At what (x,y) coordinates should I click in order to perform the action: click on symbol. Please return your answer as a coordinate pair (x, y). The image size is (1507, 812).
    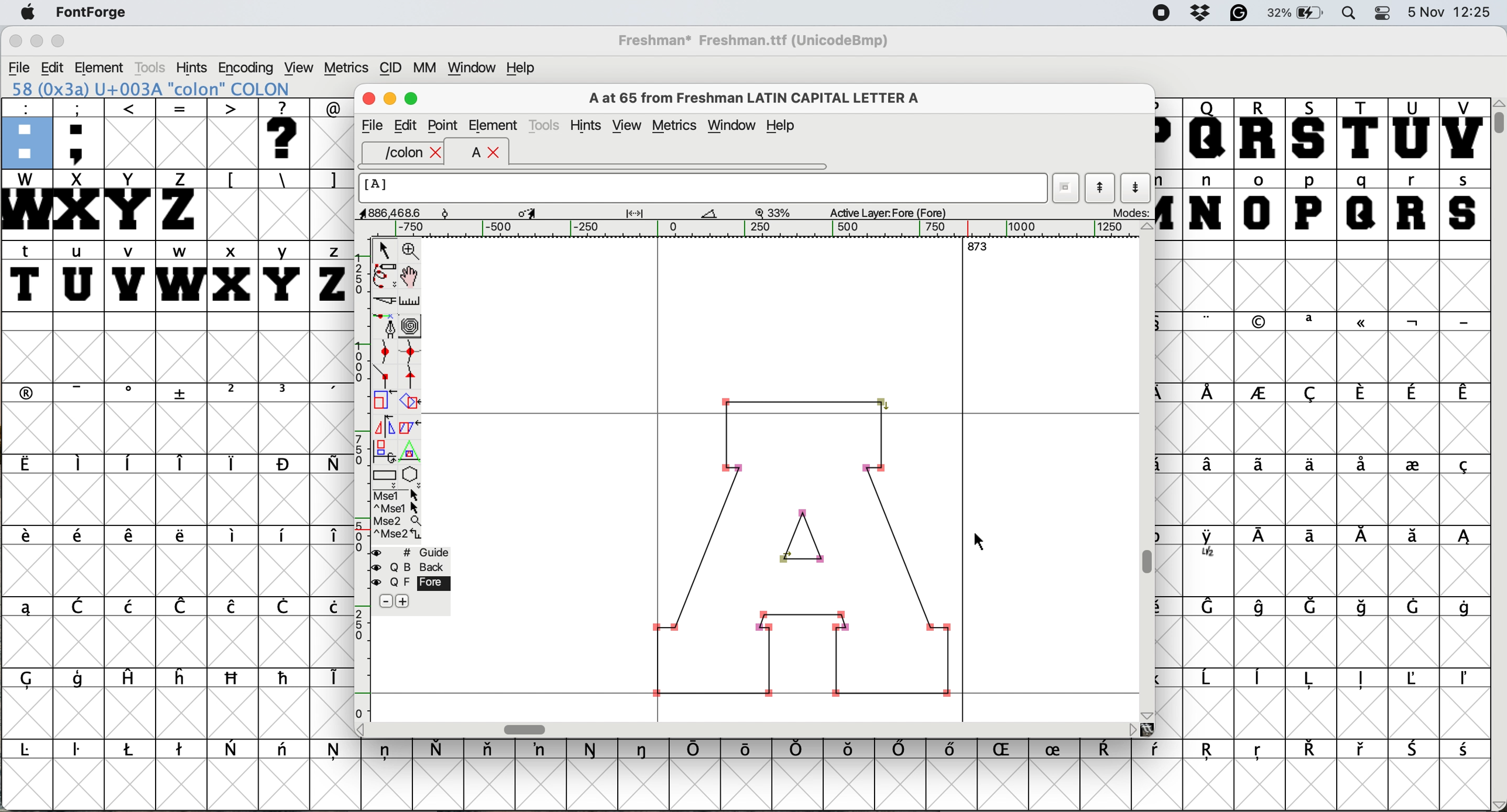
    Looking at the image, I should click on (180, 536).